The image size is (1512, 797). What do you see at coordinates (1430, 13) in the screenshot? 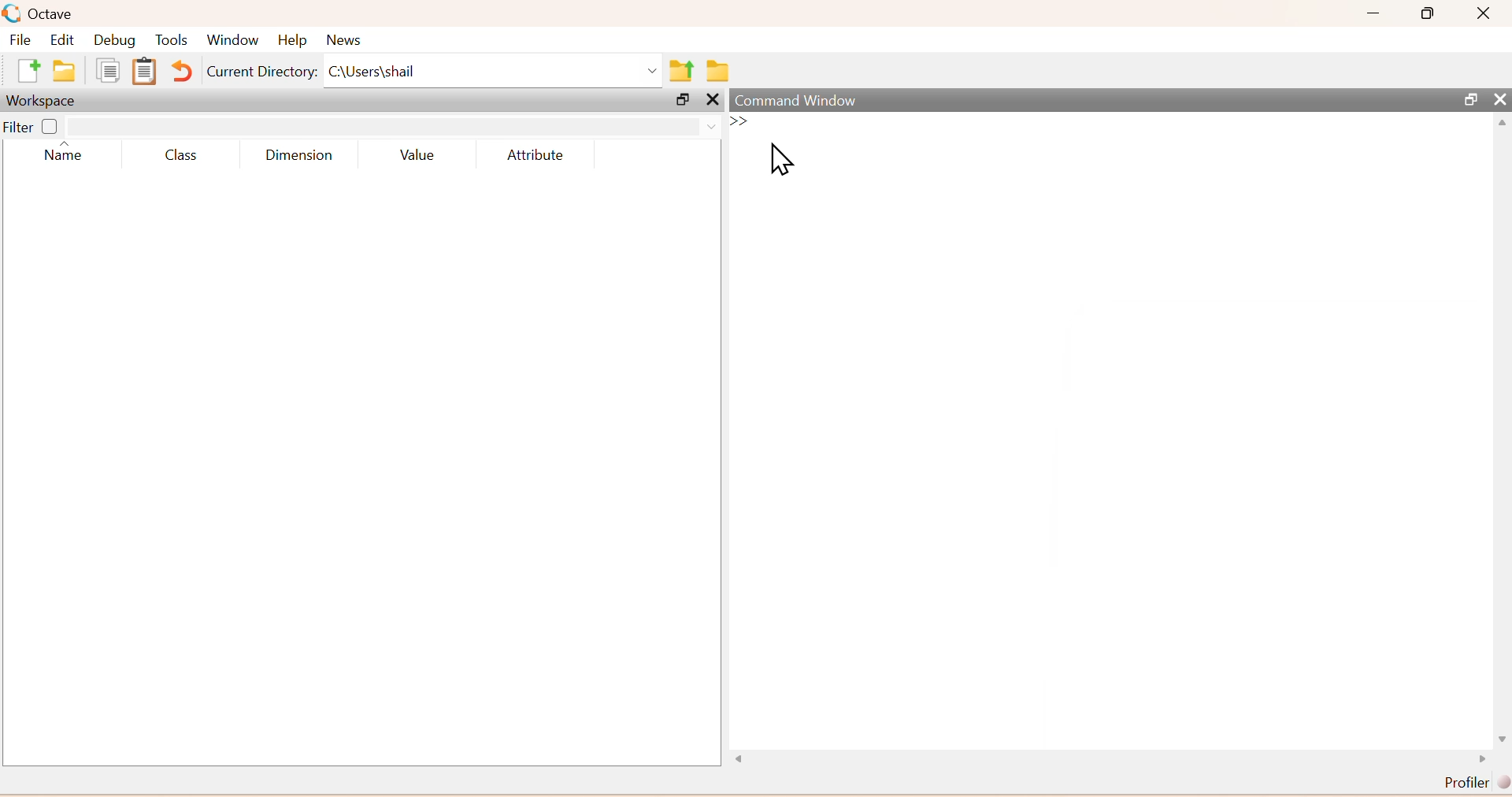
I see `Maximize` at bounding box center [1430, 13].